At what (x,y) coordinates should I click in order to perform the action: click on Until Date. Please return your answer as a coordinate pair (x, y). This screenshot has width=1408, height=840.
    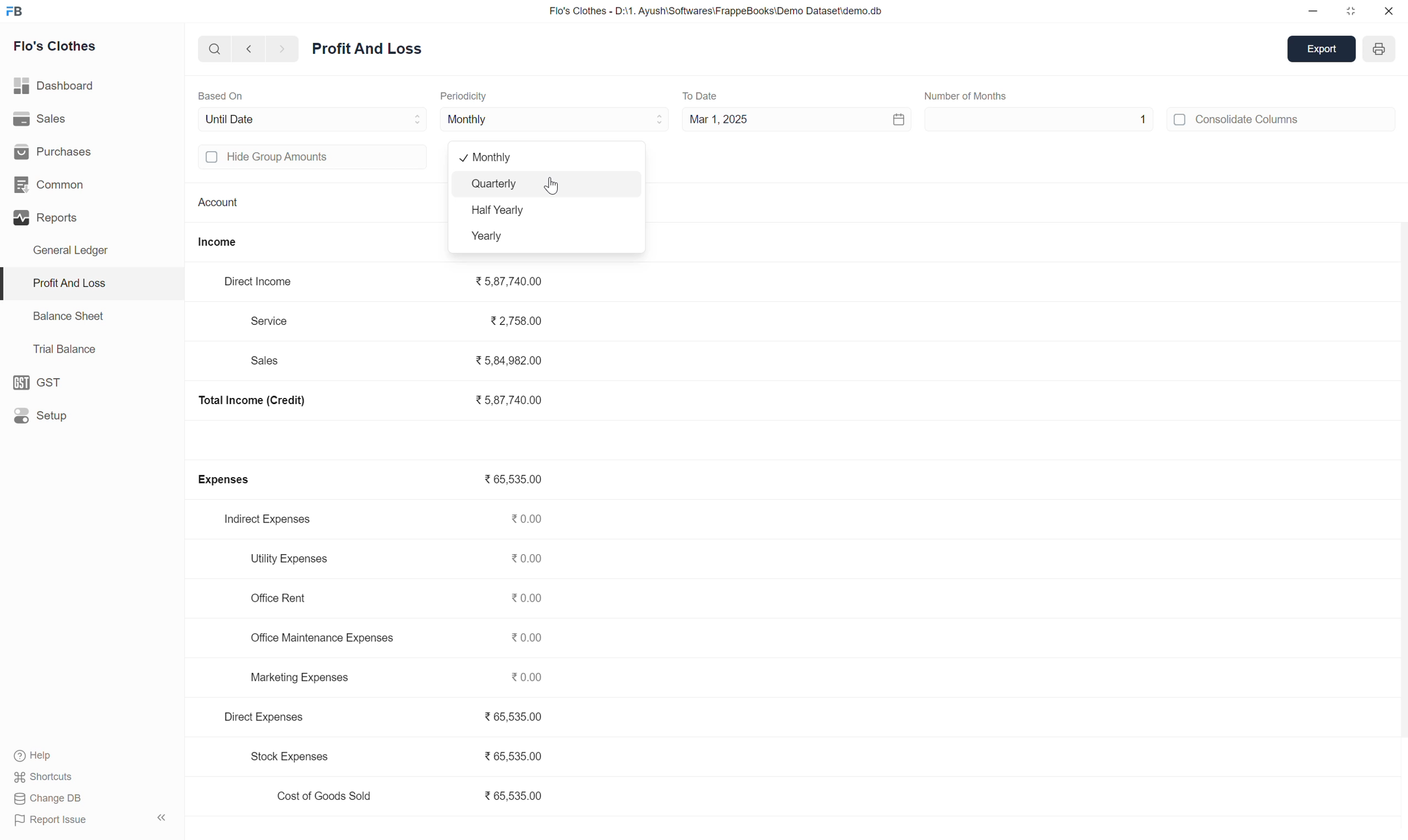
    Looking at the image, I should click on (240, 119).